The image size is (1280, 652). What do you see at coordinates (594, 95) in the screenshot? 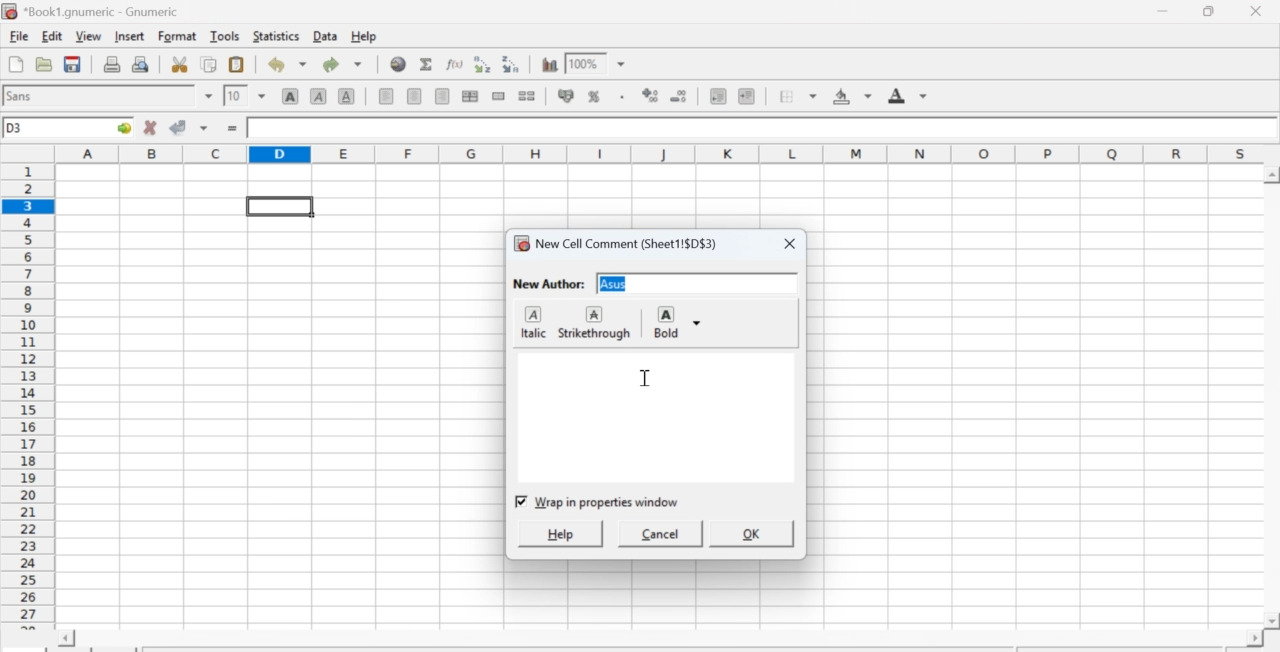
I see `Format selection as percentage` at bounding box center [594, 95].